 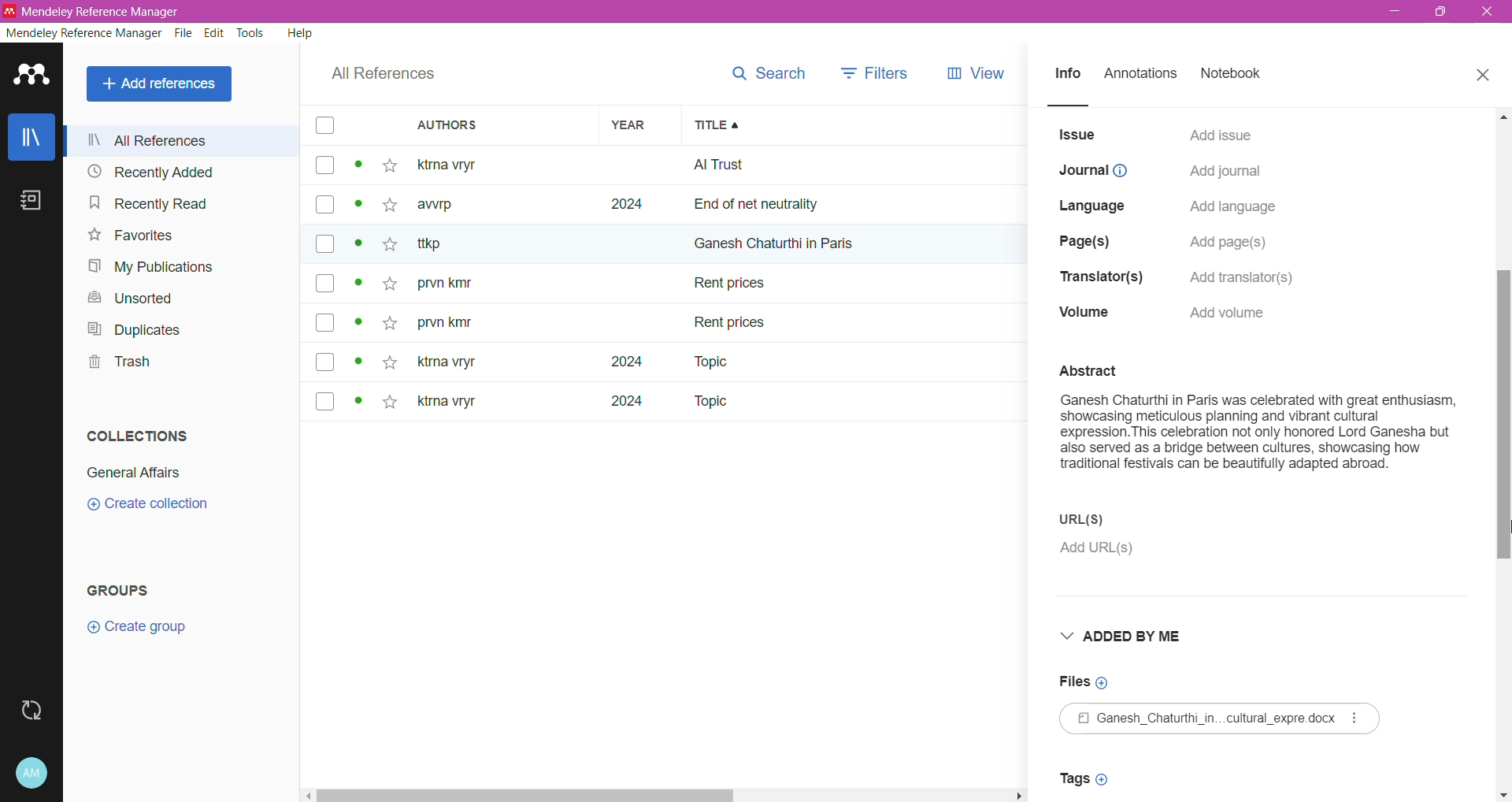 I want to click on Abstract of the selected reference, so click(x=1258, y=427).